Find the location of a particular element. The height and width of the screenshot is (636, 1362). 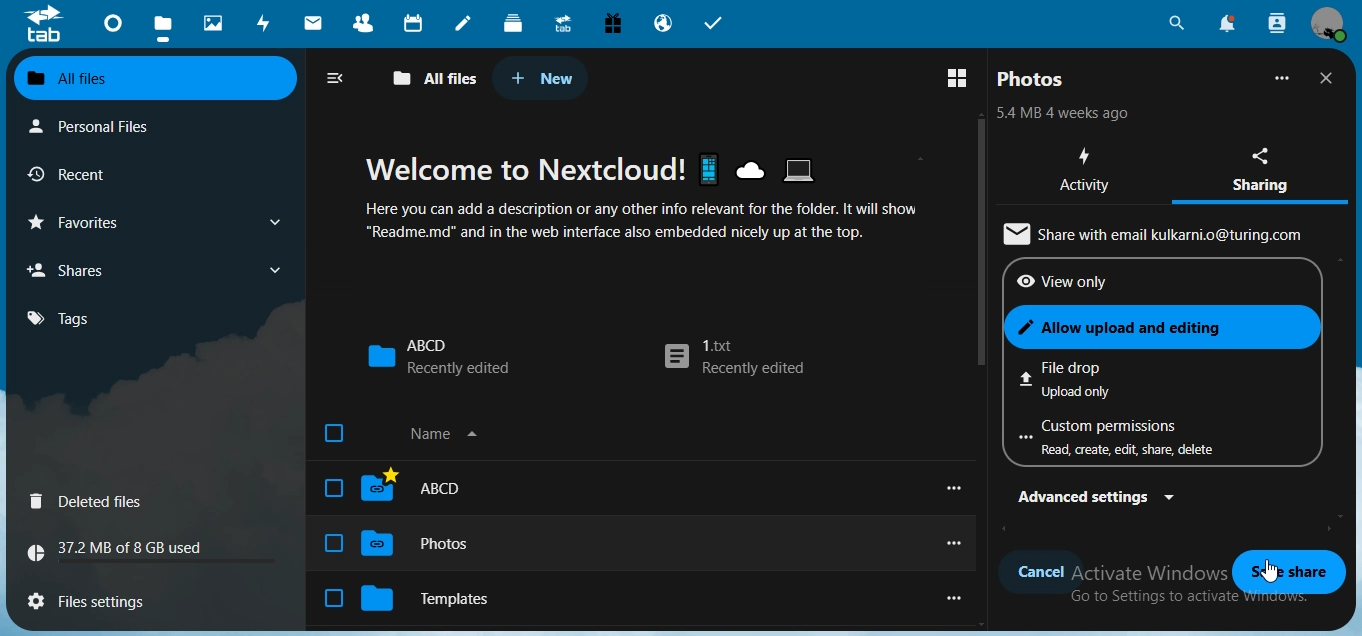

show grid view is located at coordinates (961, 76).